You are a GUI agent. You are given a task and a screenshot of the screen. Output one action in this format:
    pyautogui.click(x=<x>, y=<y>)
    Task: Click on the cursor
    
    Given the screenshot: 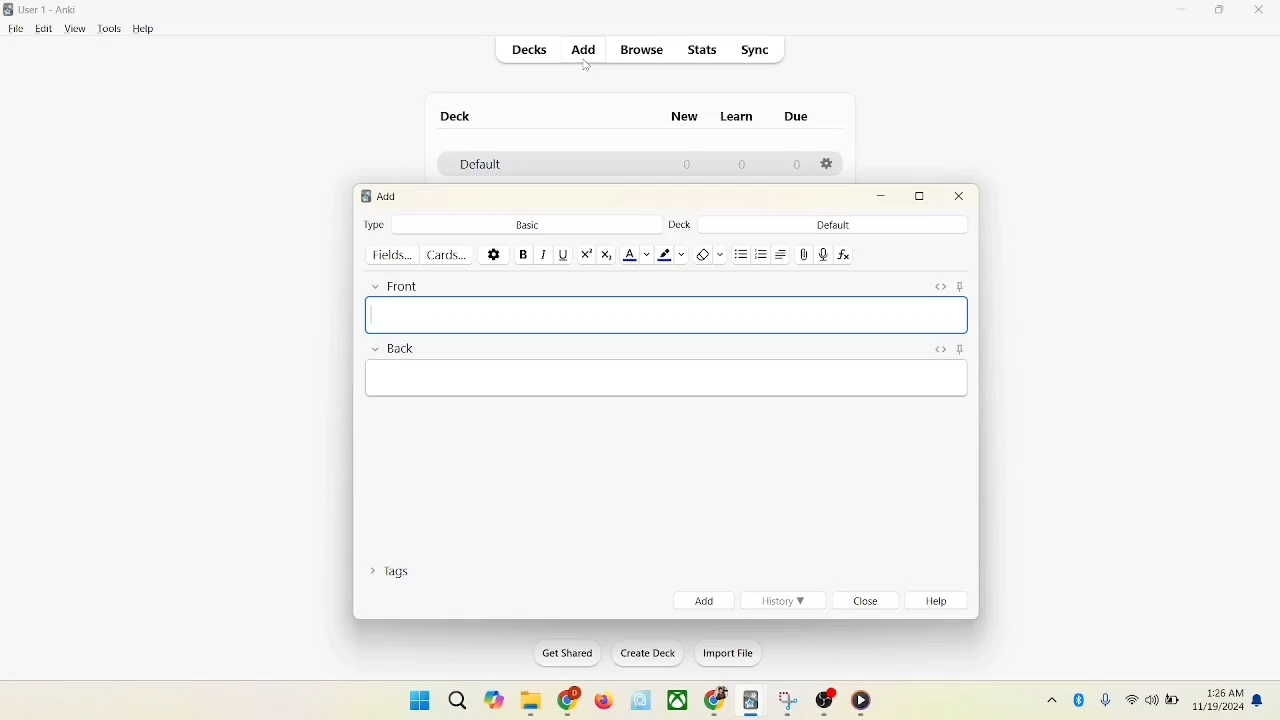 What is the action you would take?
    pyautogui.click(x=589, y=67)
    